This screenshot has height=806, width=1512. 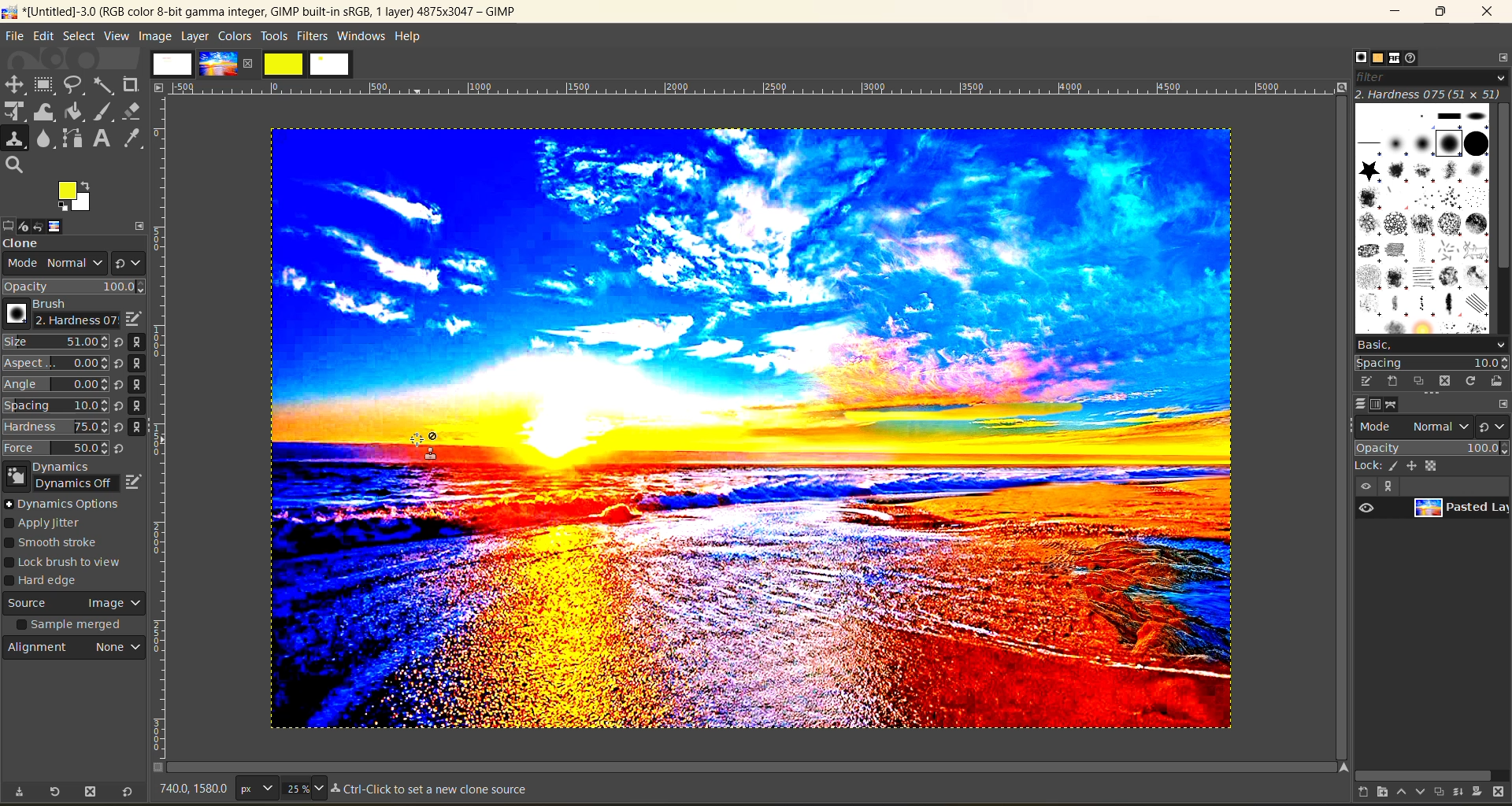 I want to click on hard edge, so click(x=49, y=582).